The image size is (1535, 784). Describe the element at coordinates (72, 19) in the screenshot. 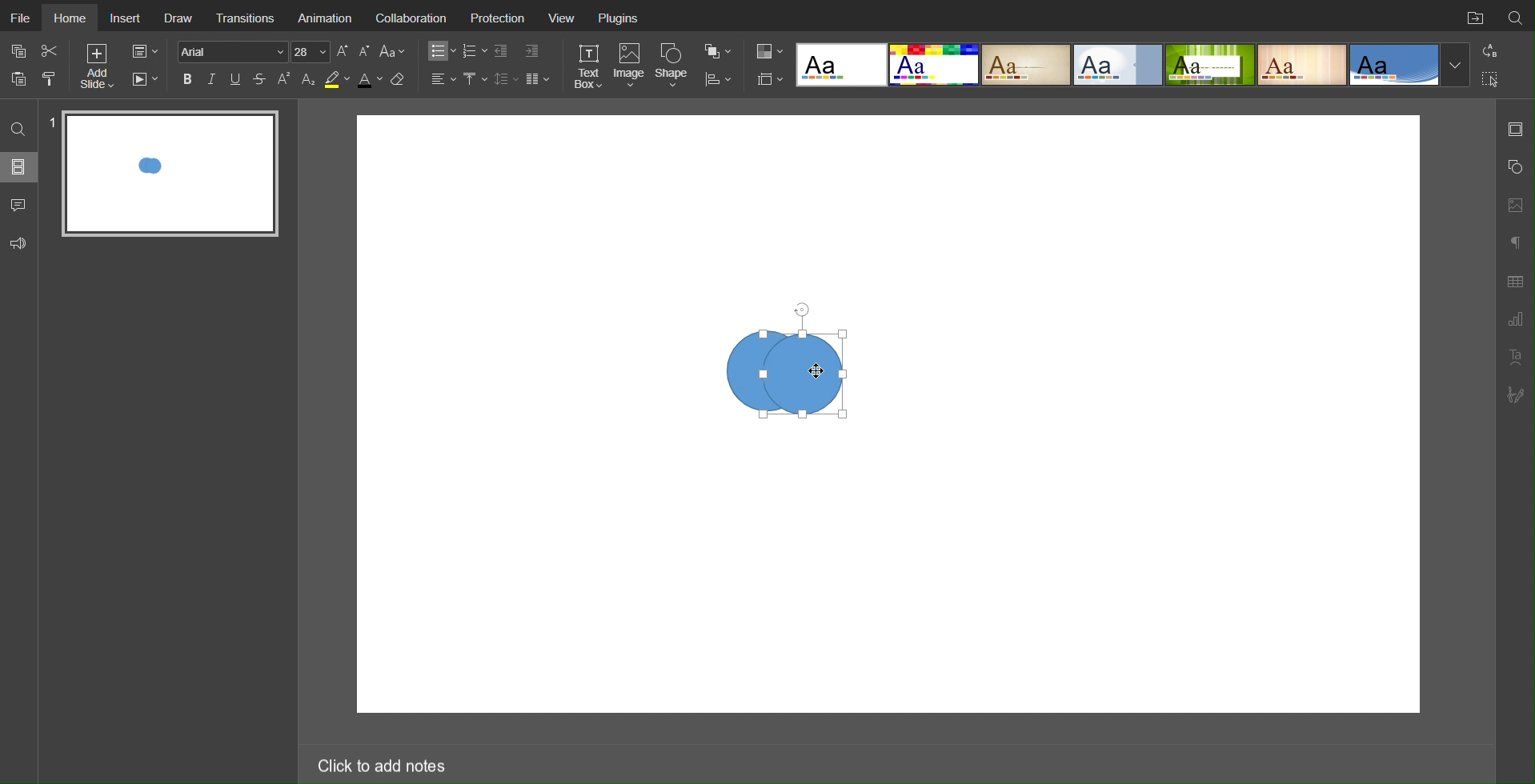

I see `Home` at that location.